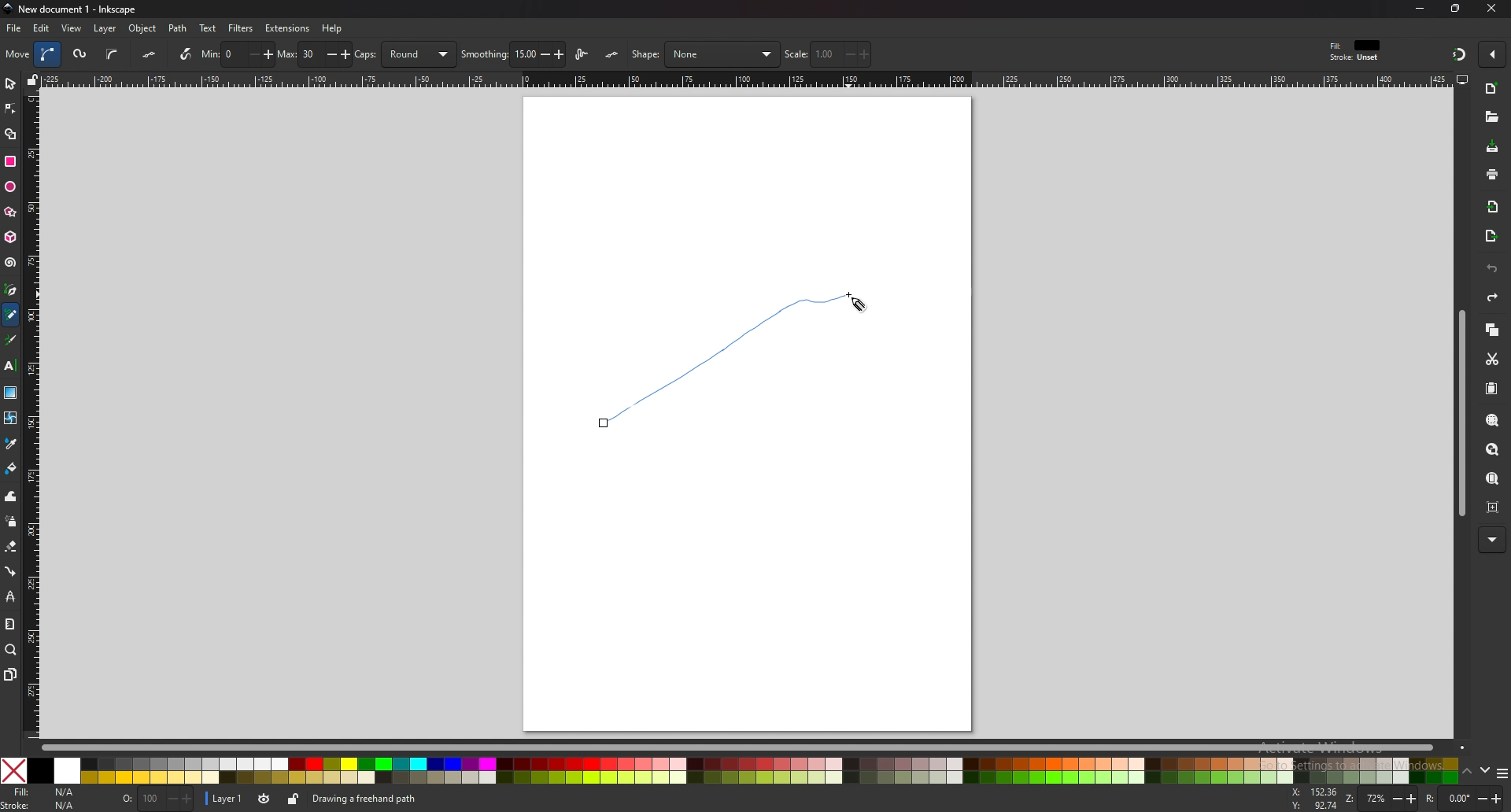 This screenshot has height=812, width=1511. What do you see at coordinates (611, 55) in the screenshot?
I see `lpe simplify flatten` at bounding box center [611, 55].